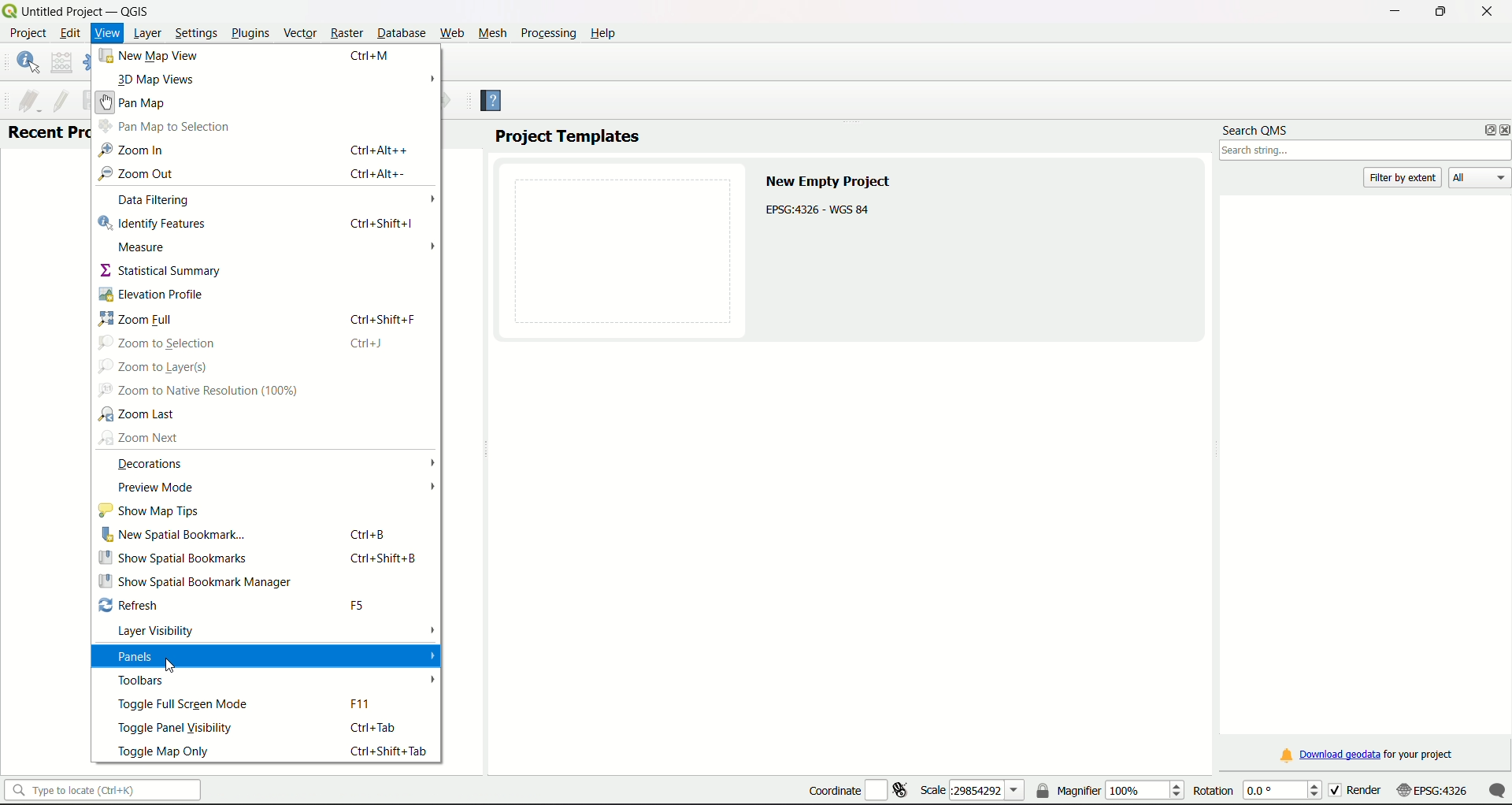  Describe the element at coordinates (385, 318) in the screenshot. I see `ctrl+shift+F` at that location.